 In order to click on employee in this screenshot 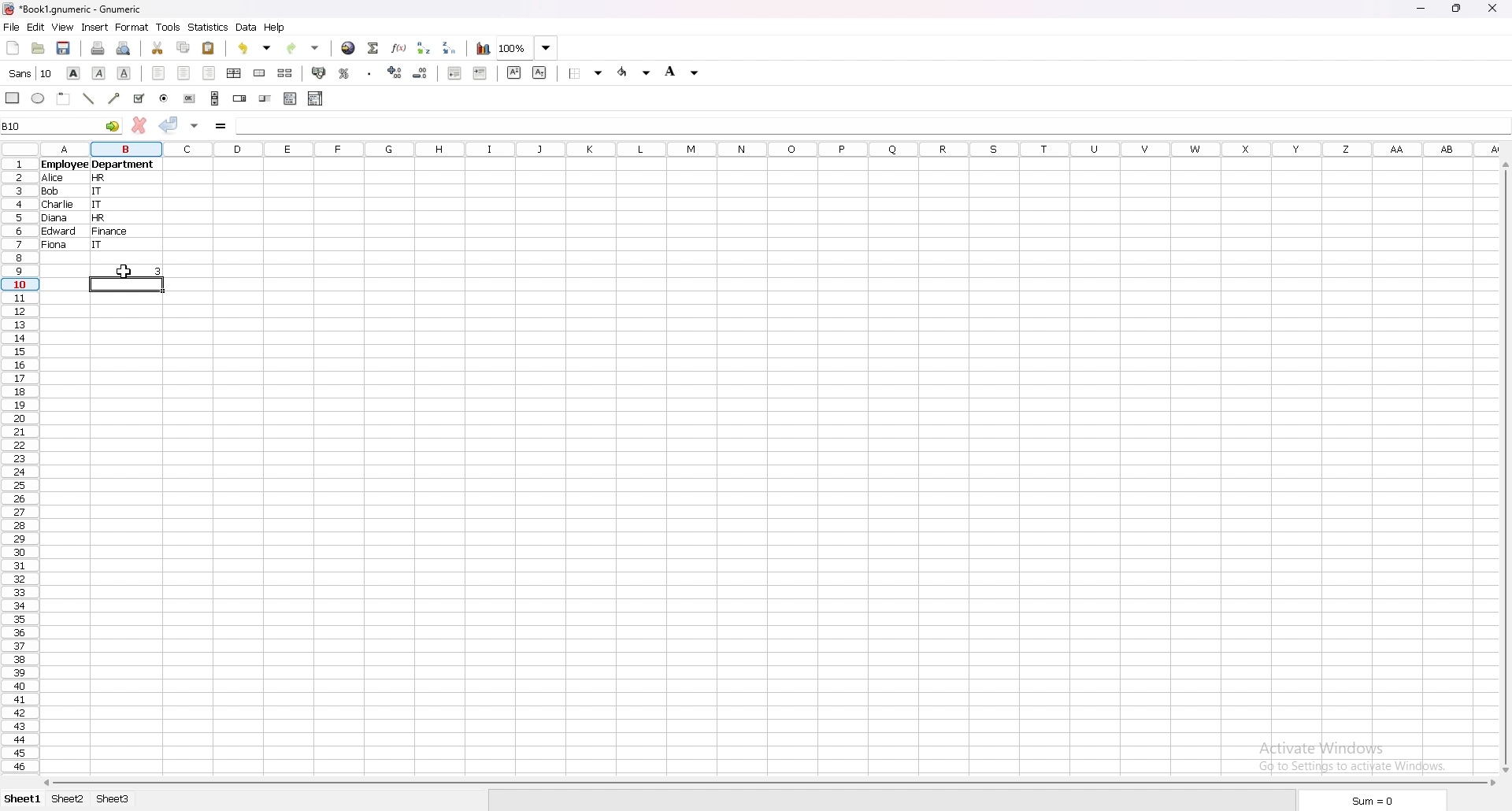, I will do `click(64, 165)`.